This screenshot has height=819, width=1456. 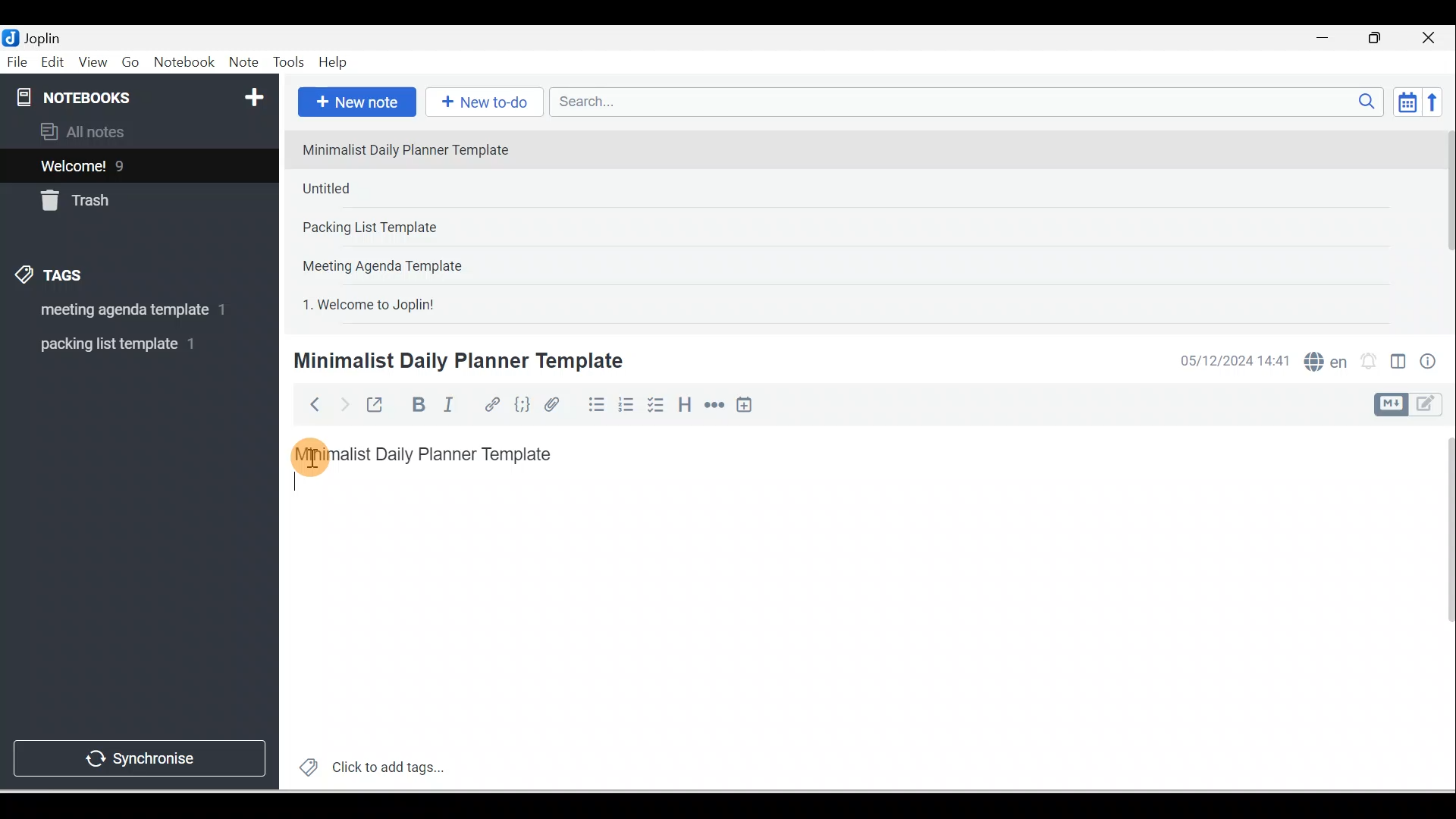 What do you see at coordinates (46, 36) in the screenshot?
I see `Joplin` at bounding box center [46, 36].